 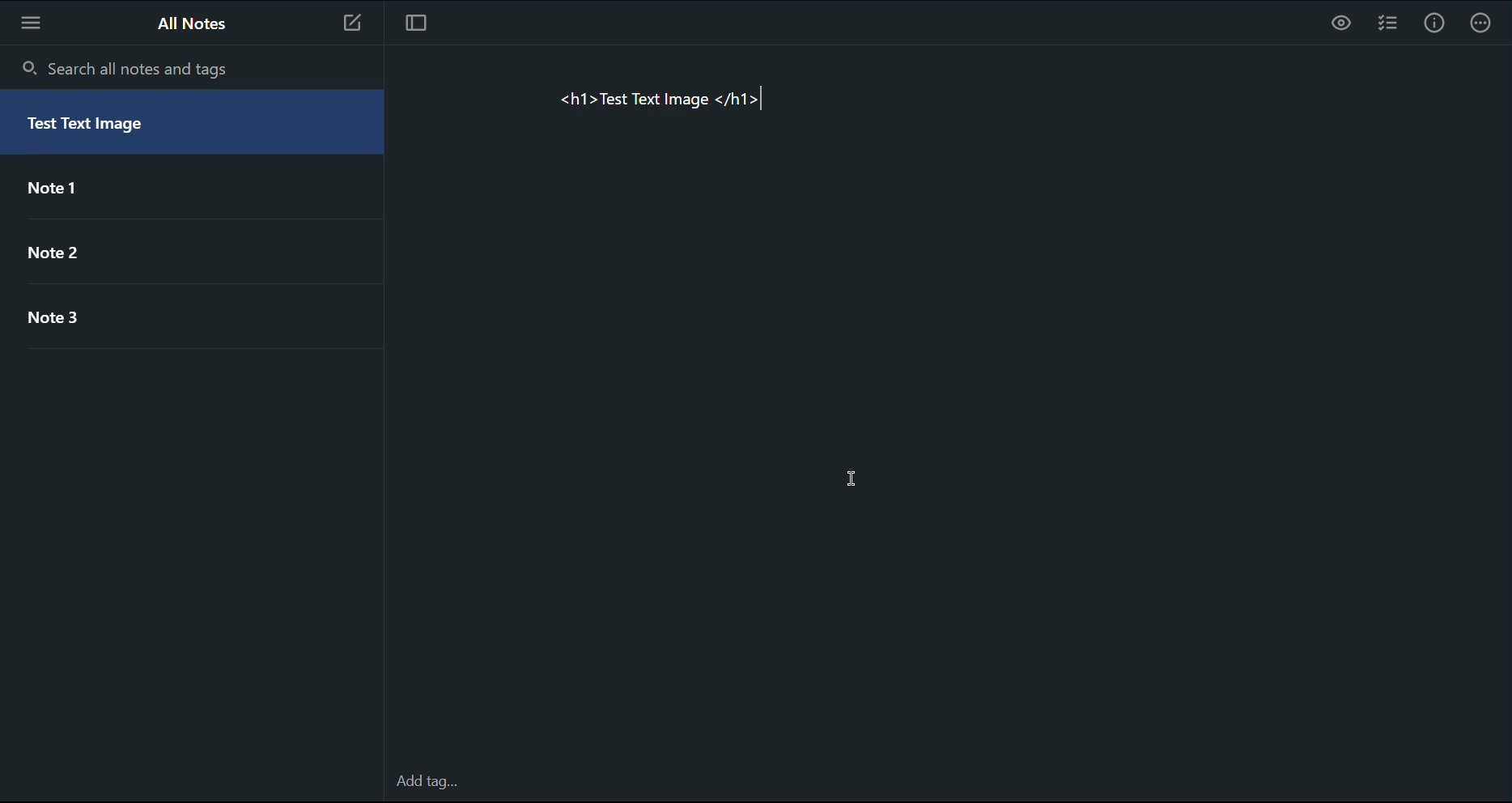 What do you see at coordinates (124, 65) in the screenshot?
I see `Search all notes and tags` at bounding box center [124, 65].